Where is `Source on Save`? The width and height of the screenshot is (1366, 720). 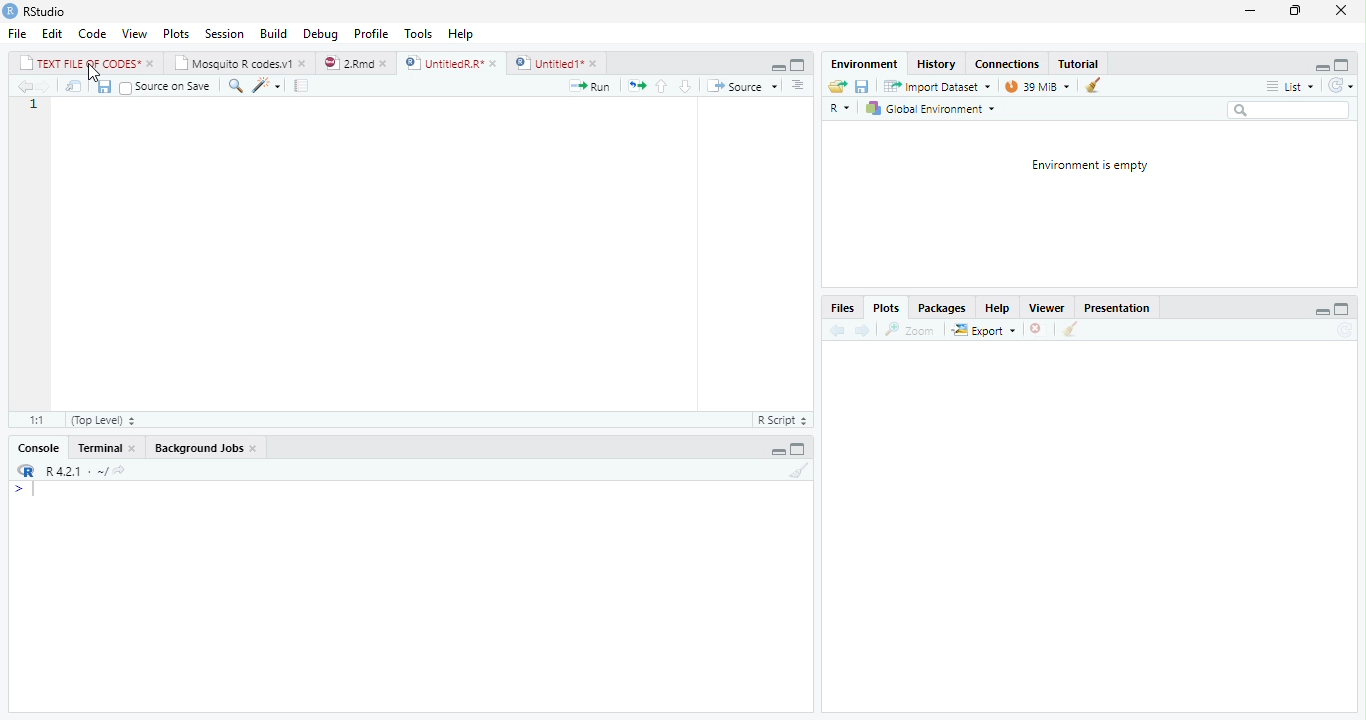 Source on Save is located at coordinates (164, 87).